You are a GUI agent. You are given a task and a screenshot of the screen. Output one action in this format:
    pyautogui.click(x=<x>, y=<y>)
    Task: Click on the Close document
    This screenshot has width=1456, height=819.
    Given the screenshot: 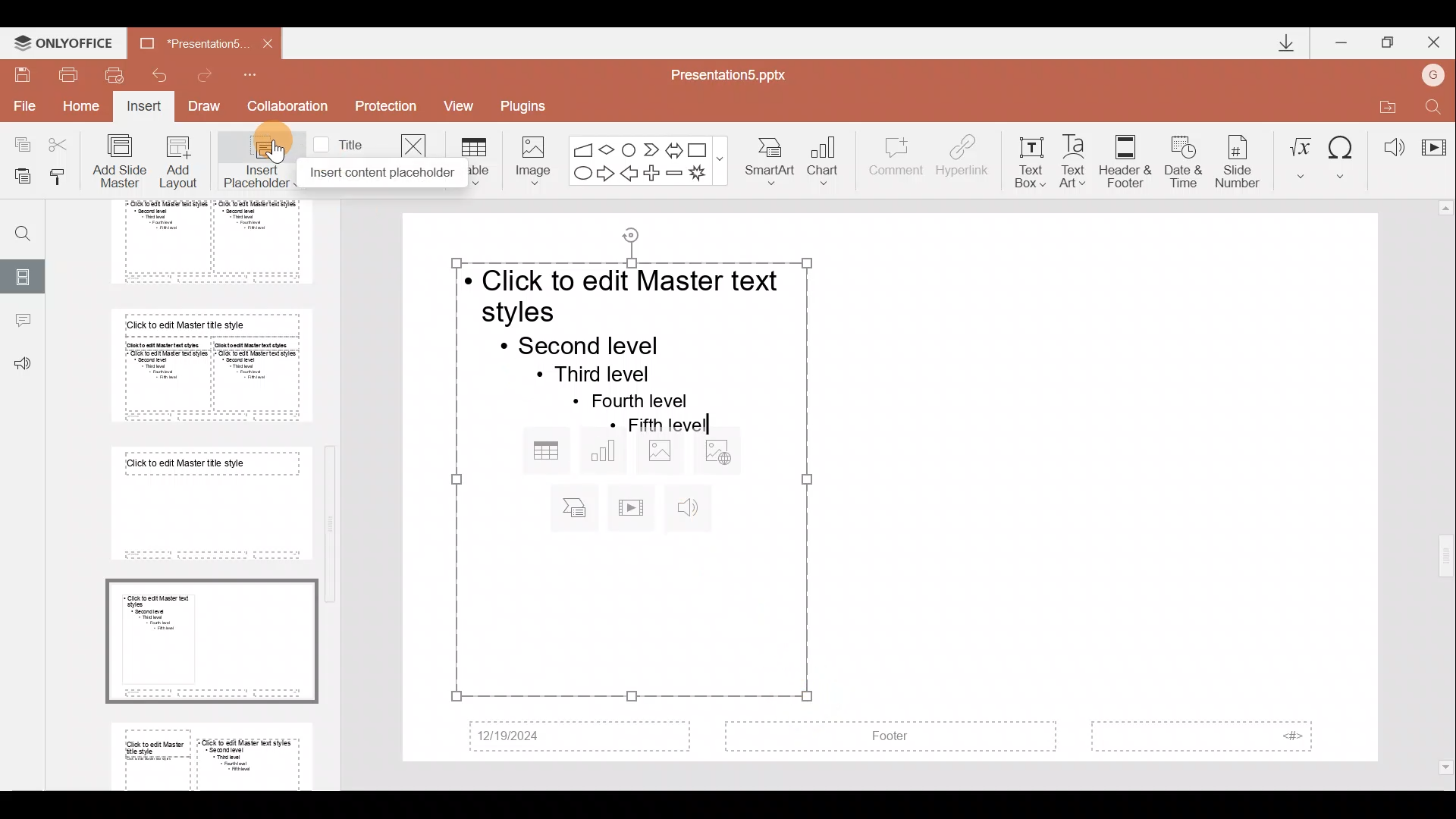 What is the action you would take?
    pyautogui.click(x=263, y=42)
    